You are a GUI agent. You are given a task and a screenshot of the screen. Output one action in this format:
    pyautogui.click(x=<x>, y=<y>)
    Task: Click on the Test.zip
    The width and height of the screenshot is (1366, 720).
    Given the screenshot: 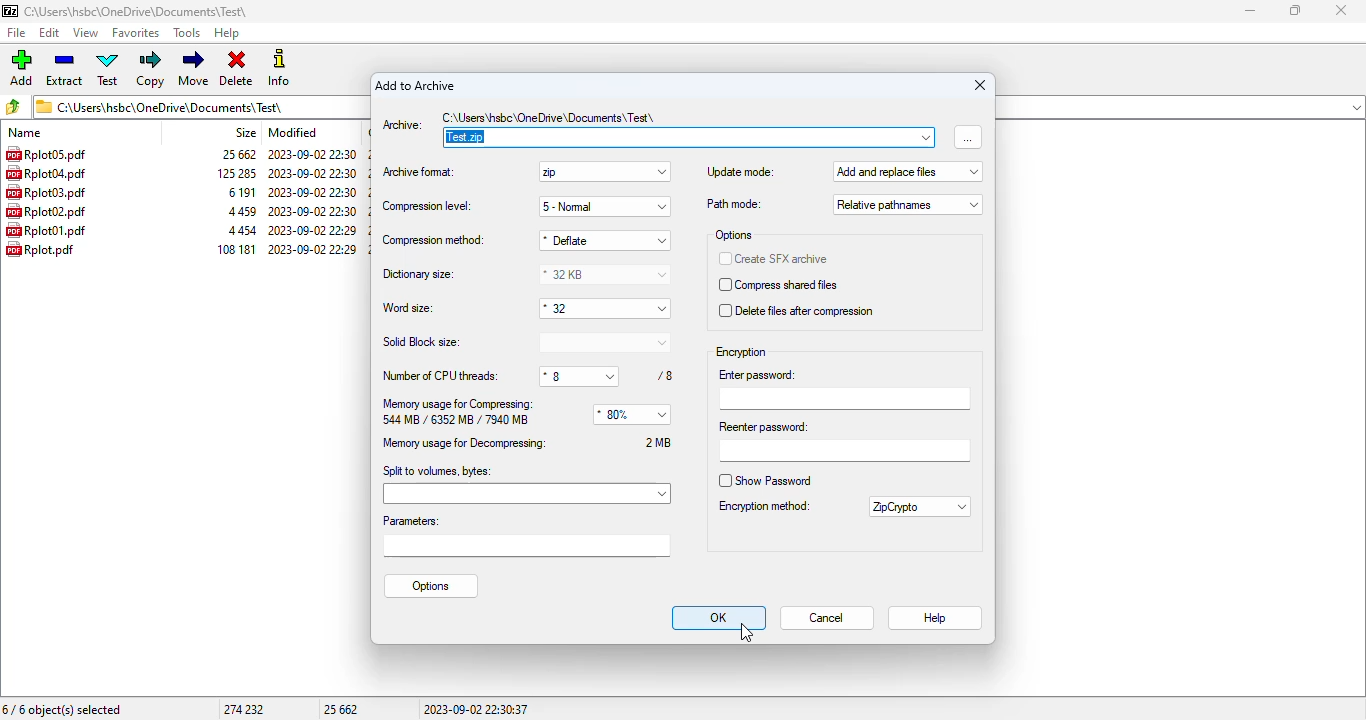 What is the action you would take?
    pyautogui.click(x=689, y=129)
    